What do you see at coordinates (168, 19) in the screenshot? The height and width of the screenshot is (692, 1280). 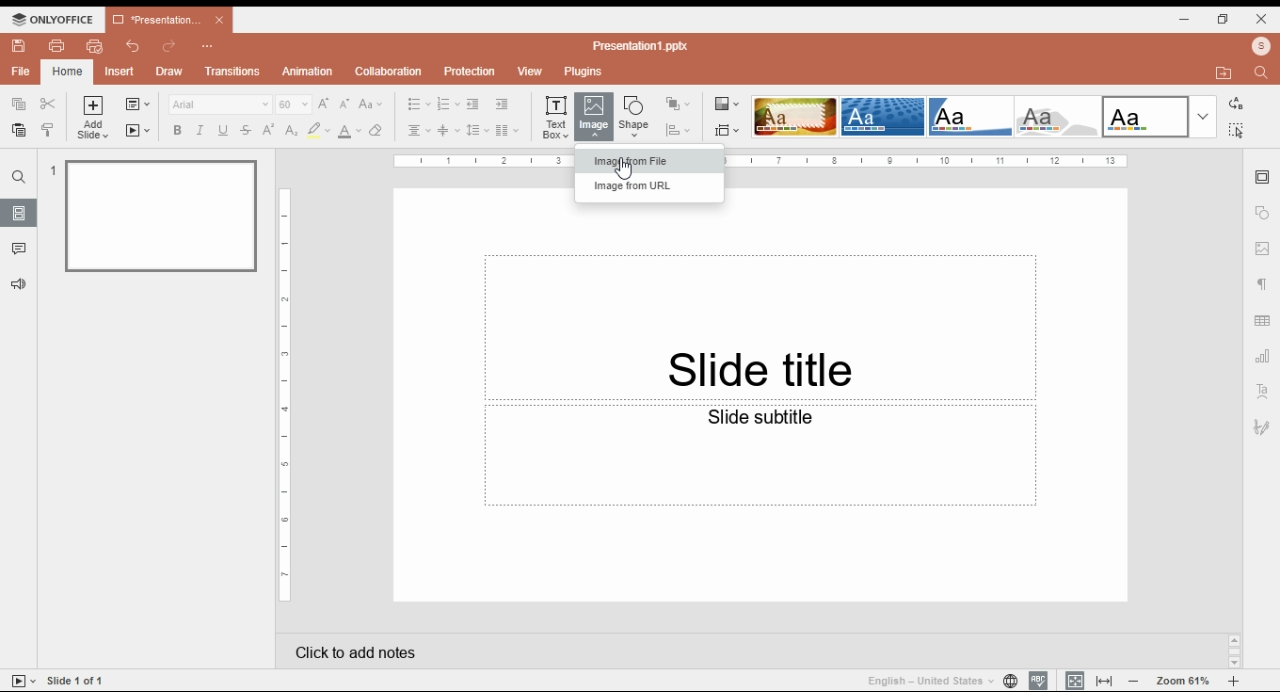 I see `presentation 1` at bounding box center [168, 19].